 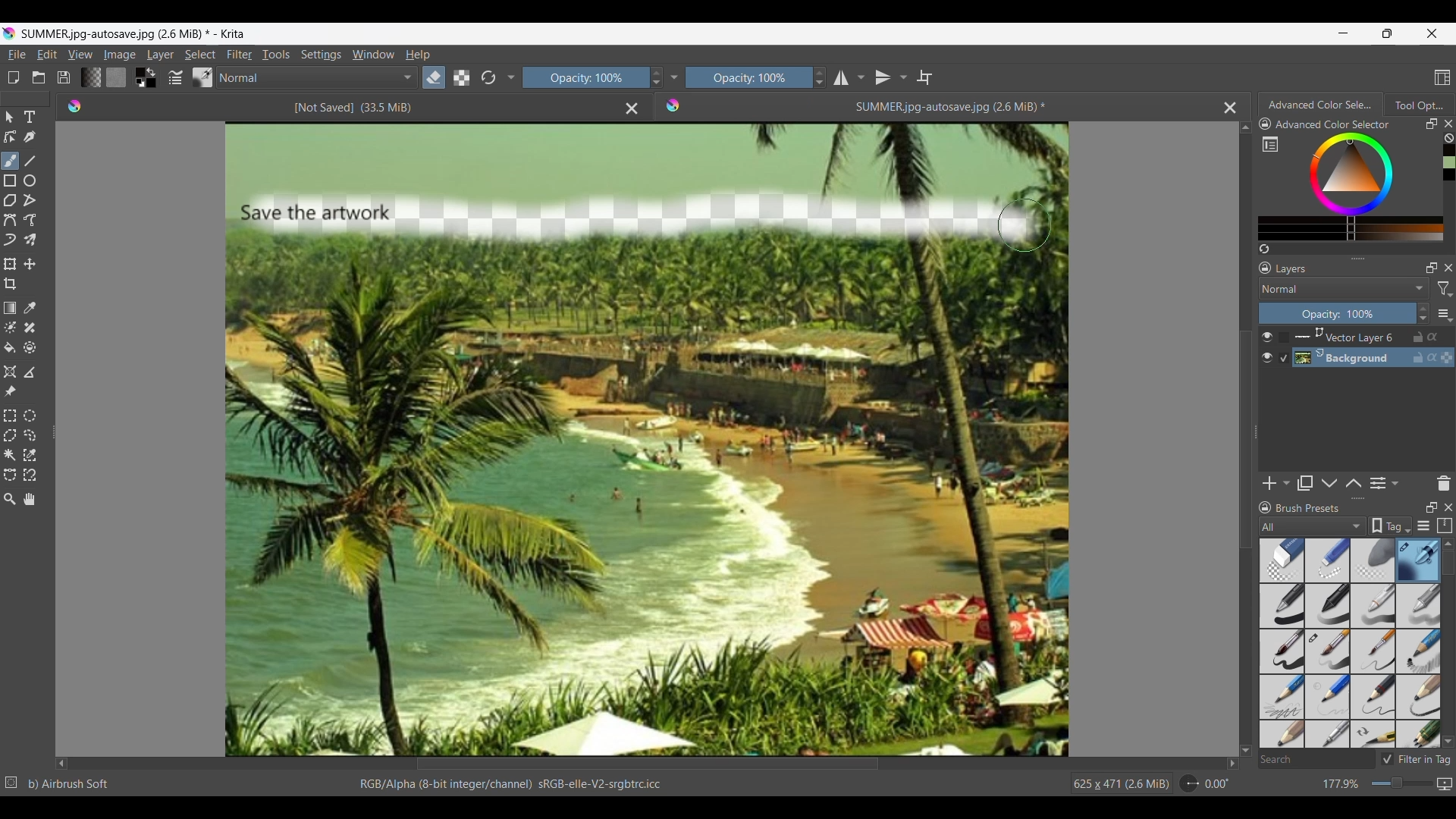 I want to click on Float layers panel, so click(x=1428, y=268).